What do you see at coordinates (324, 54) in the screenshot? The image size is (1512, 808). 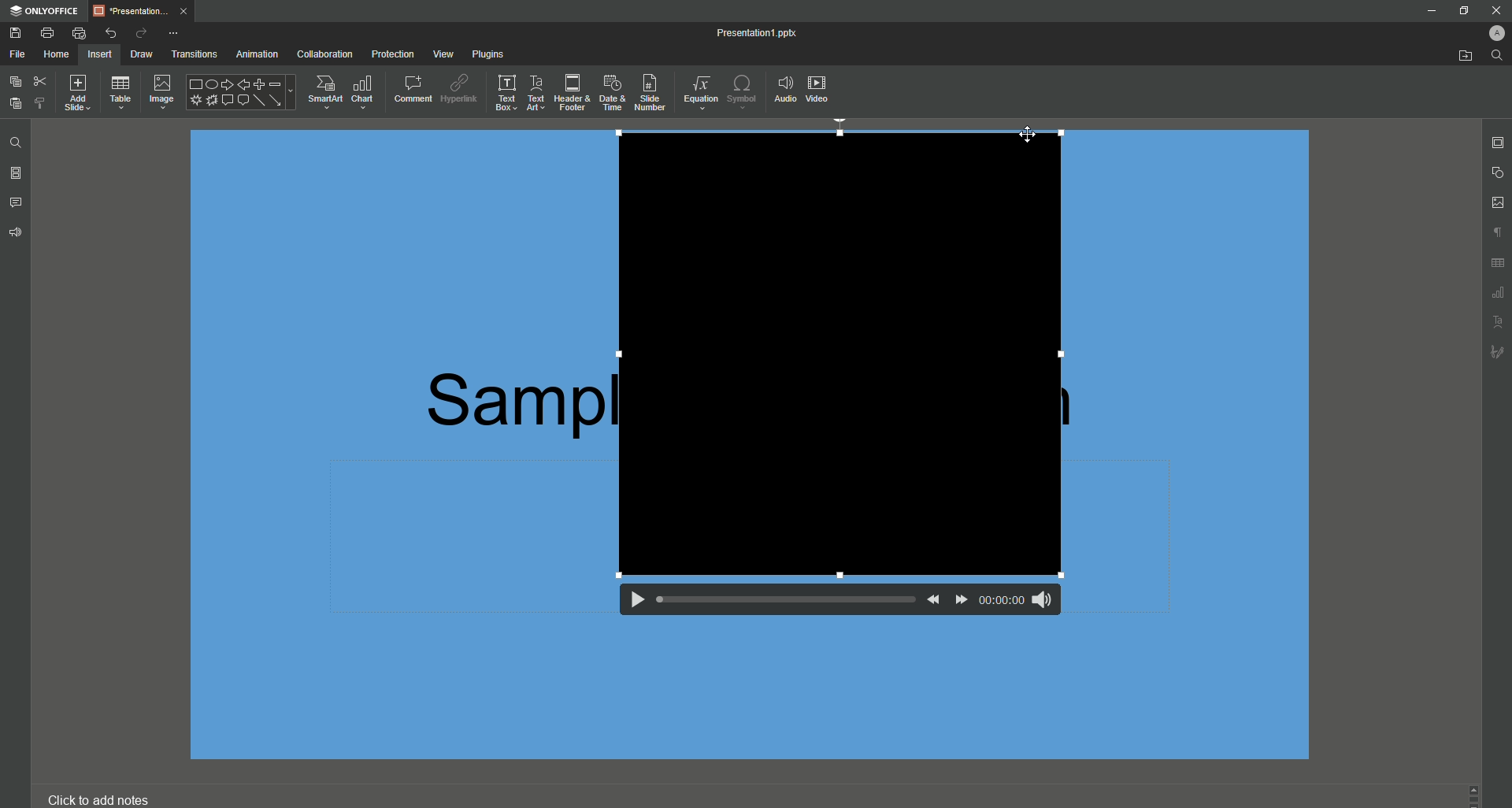 I see `Collaboration` at bounding box center [324, 54].